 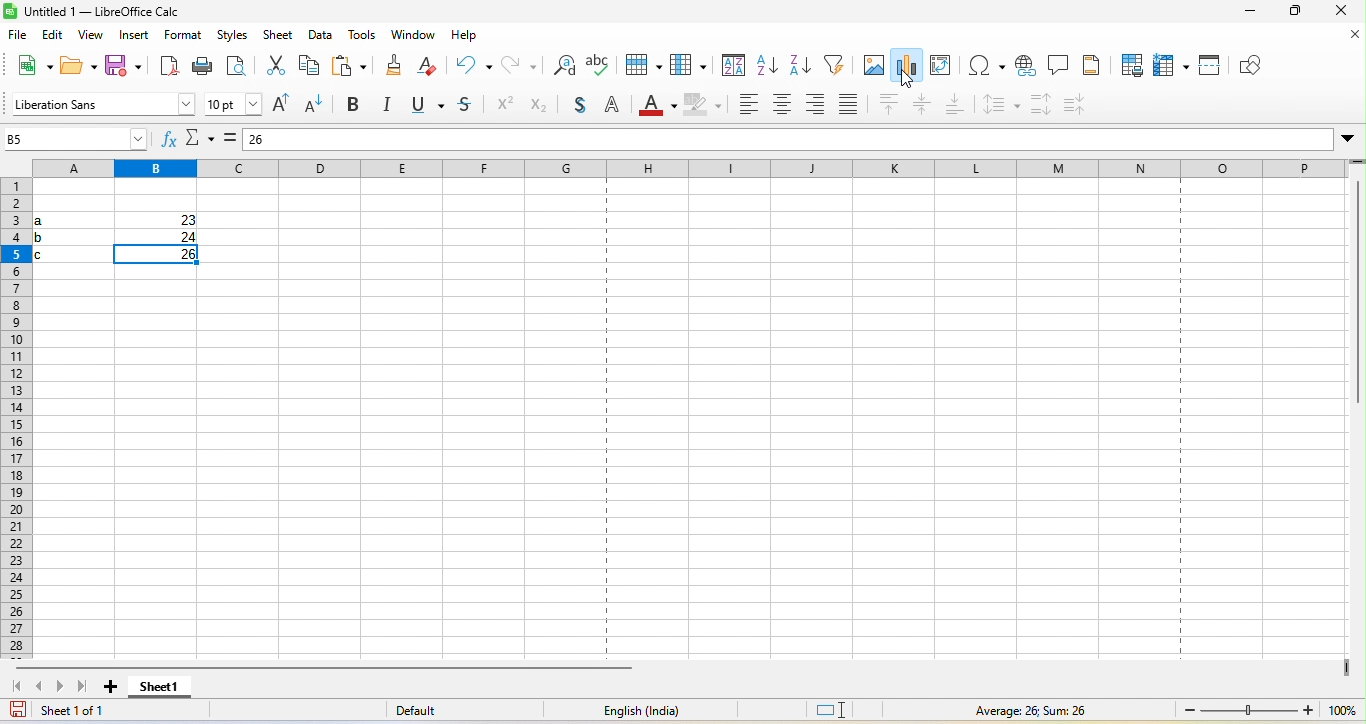 What do you see at coordinates (55, 236) in the screenshot?
I see `b` at bounding box center [55, 236].